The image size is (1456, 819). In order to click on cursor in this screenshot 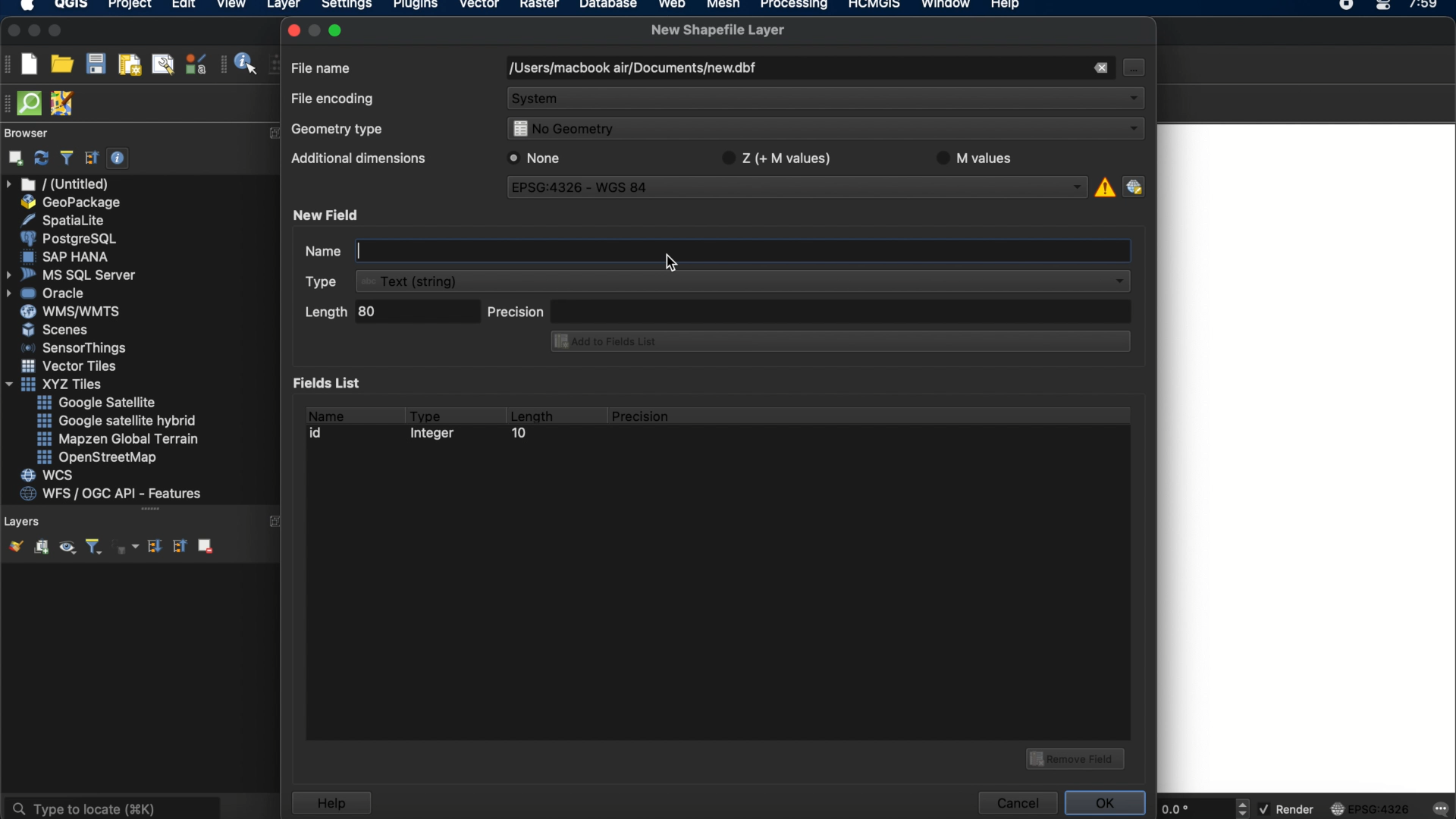, I will do `click(668, 263)`.